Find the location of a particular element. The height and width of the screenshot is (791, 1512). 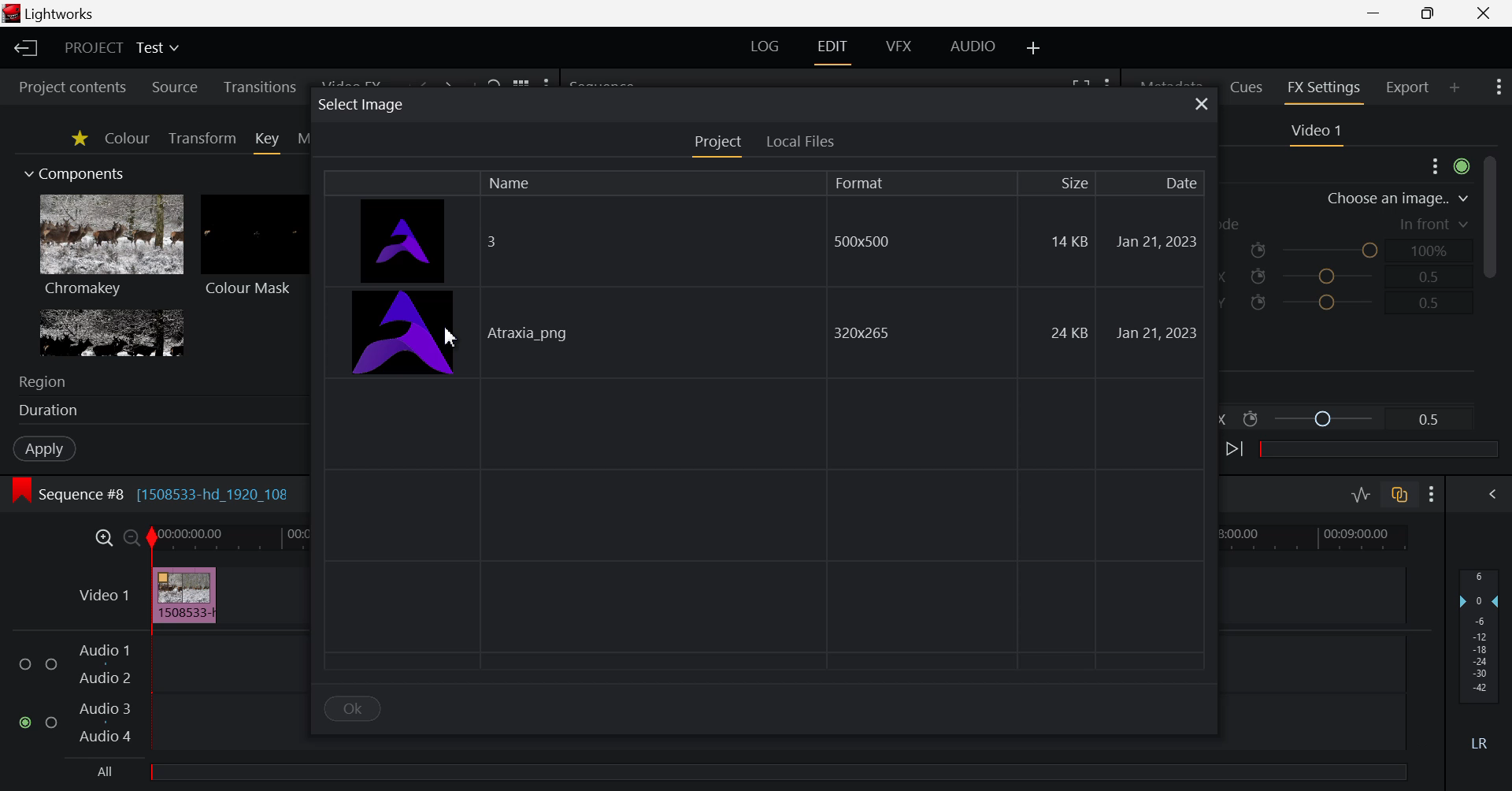

Key is located at coordinates (268, 143).